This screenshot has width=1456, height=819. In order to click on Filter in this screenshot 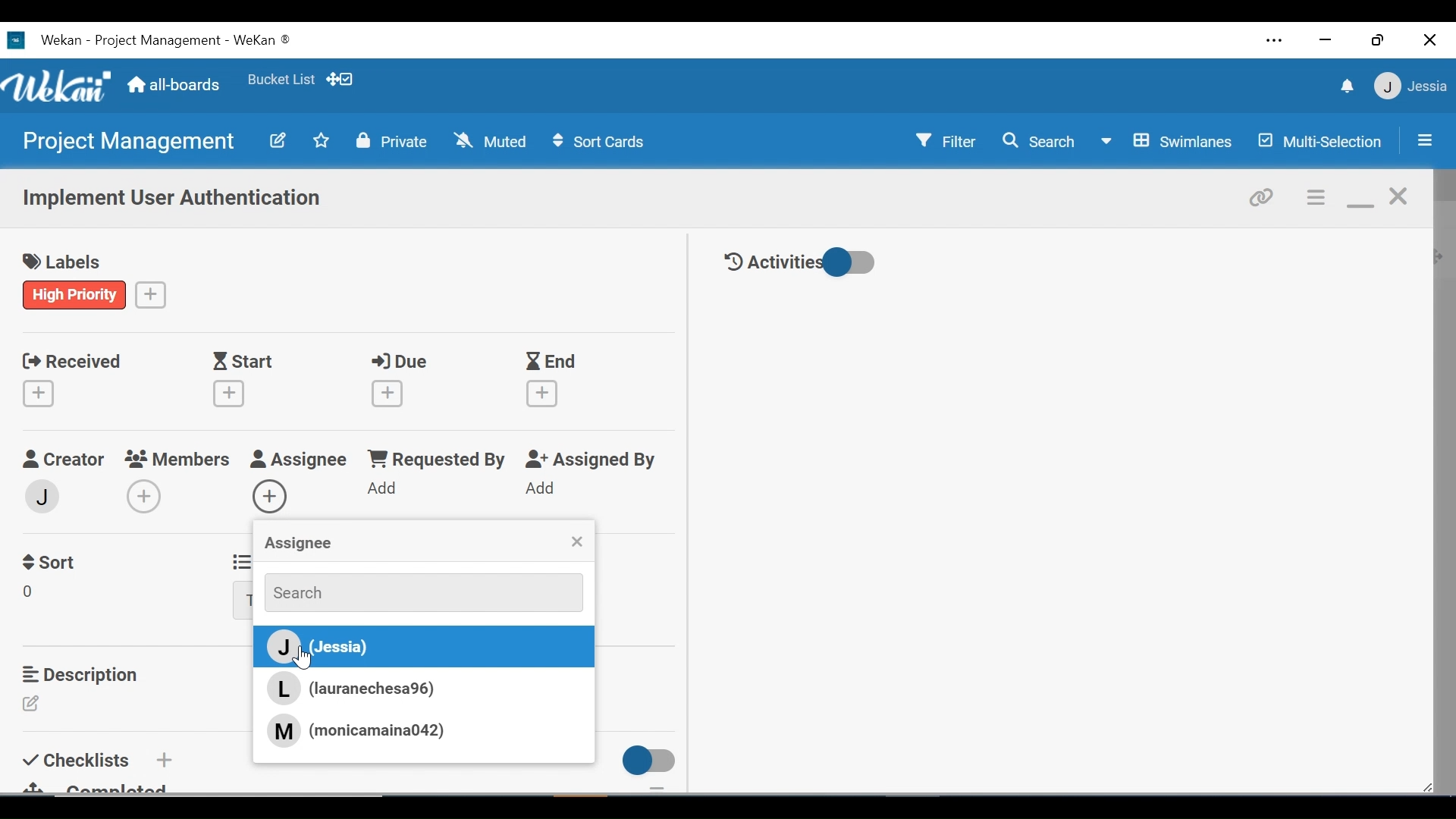, I will do `click(947, 140)`.